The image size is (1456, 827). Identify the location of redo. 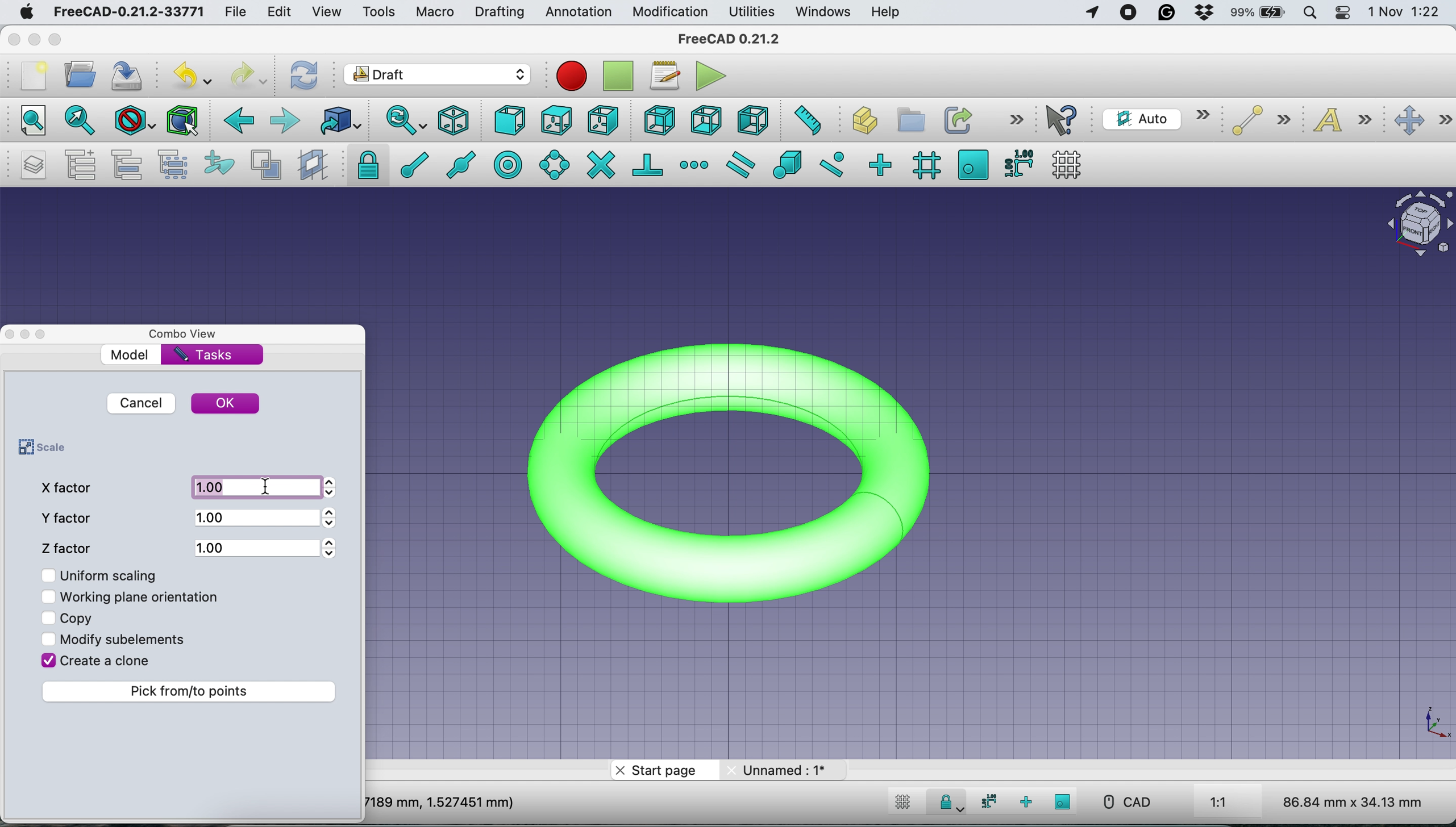
(248, 76).